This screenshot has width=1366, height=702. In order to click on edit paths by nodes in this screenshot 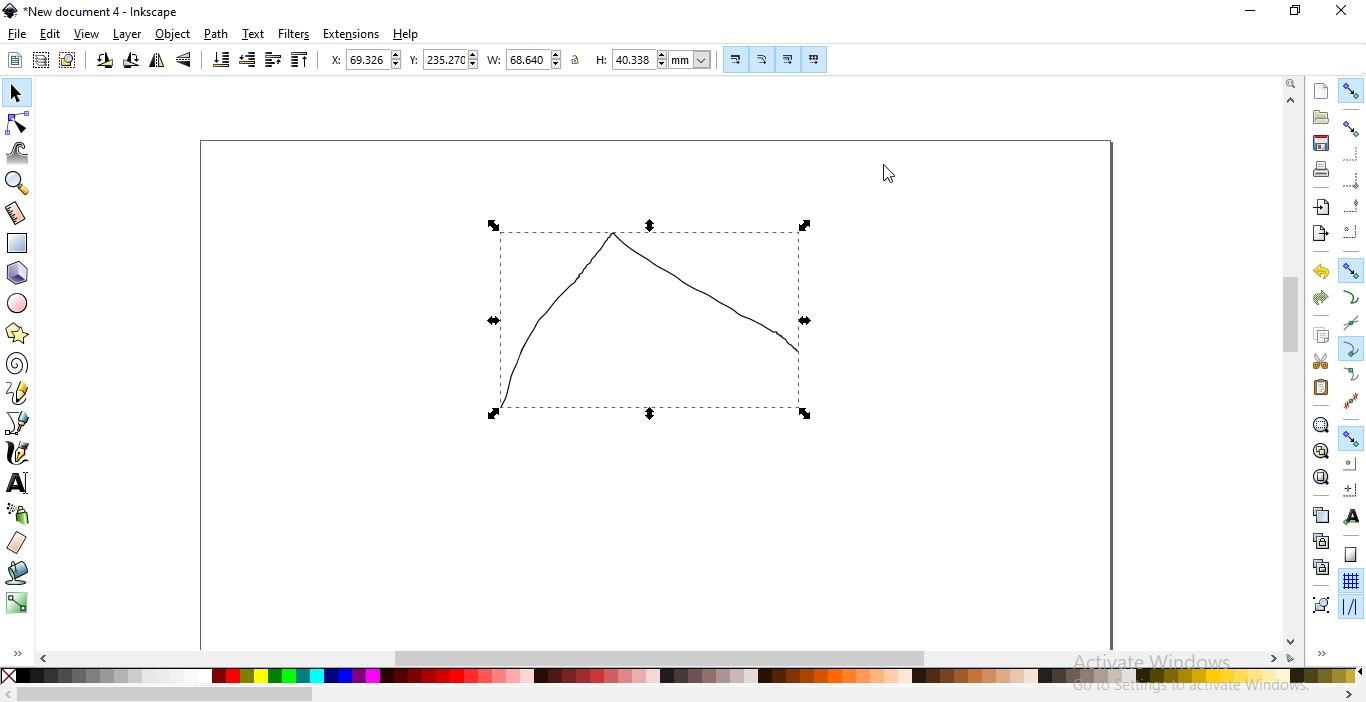, I will do `click(16, 124)`.